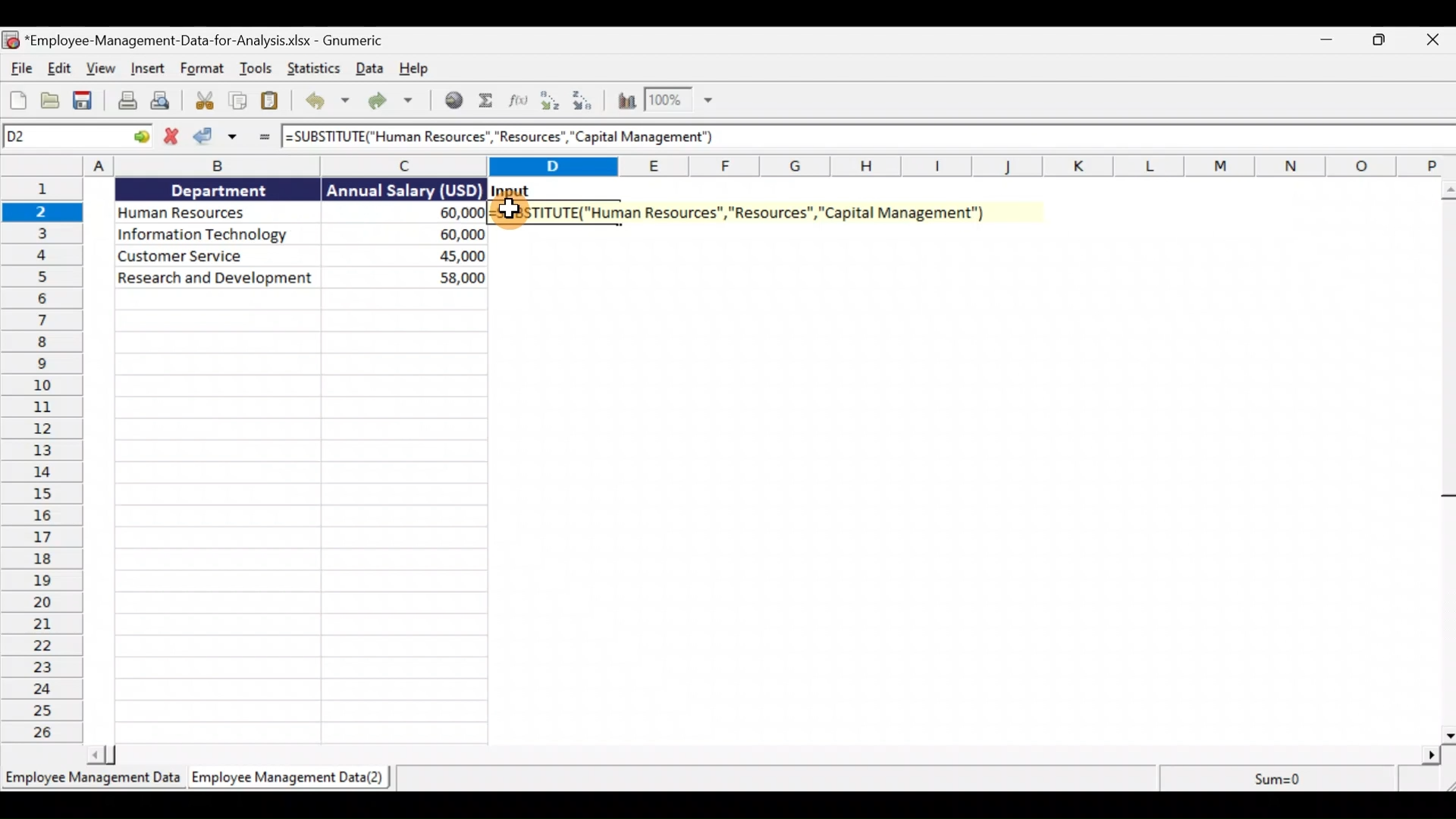  Describe the element at coordinates (1276, 778) in the screenshot. I see `Sum=0` at that location.